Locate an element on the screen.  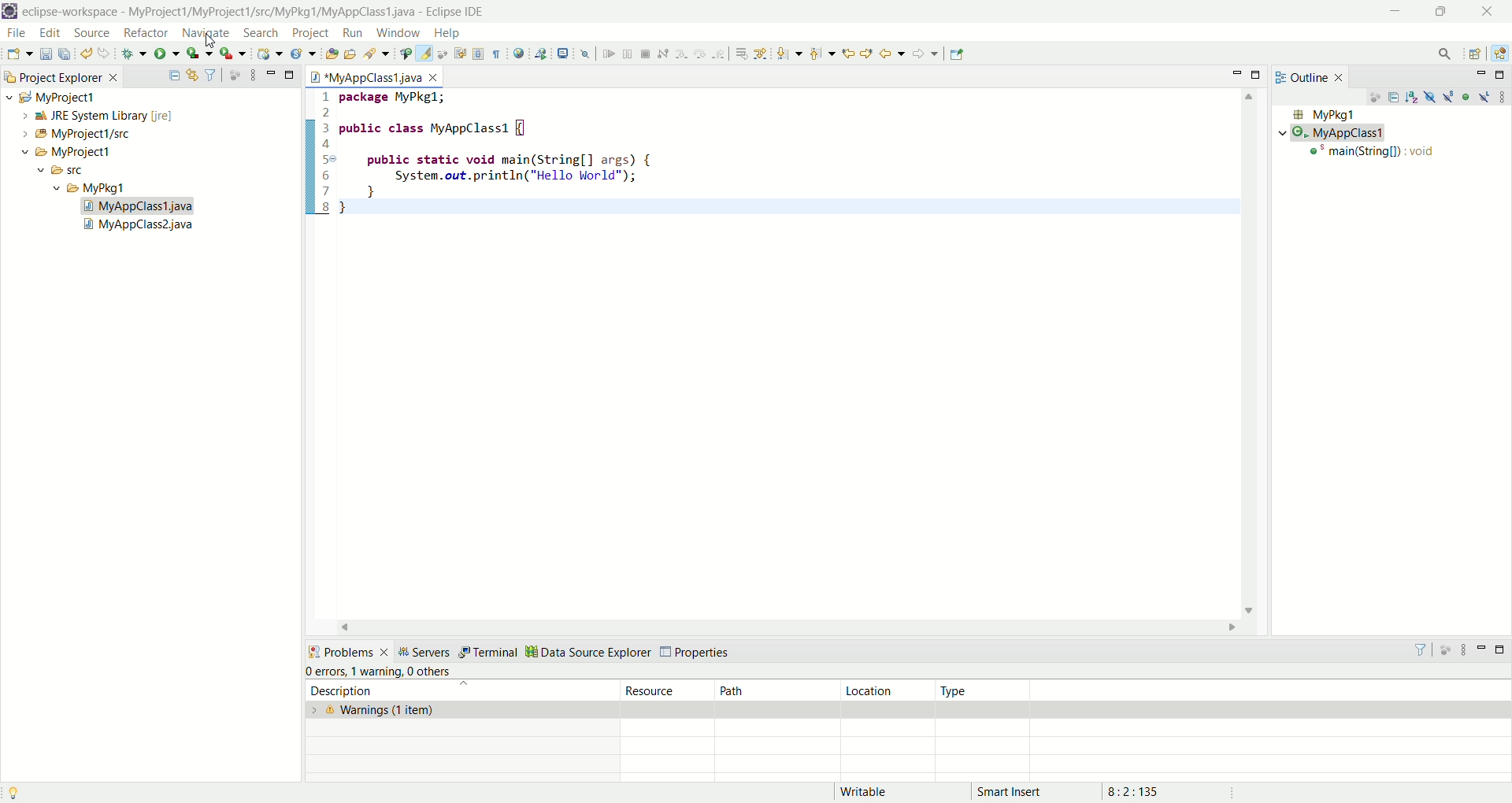
collapse all is located at coordinates (1395, 99).